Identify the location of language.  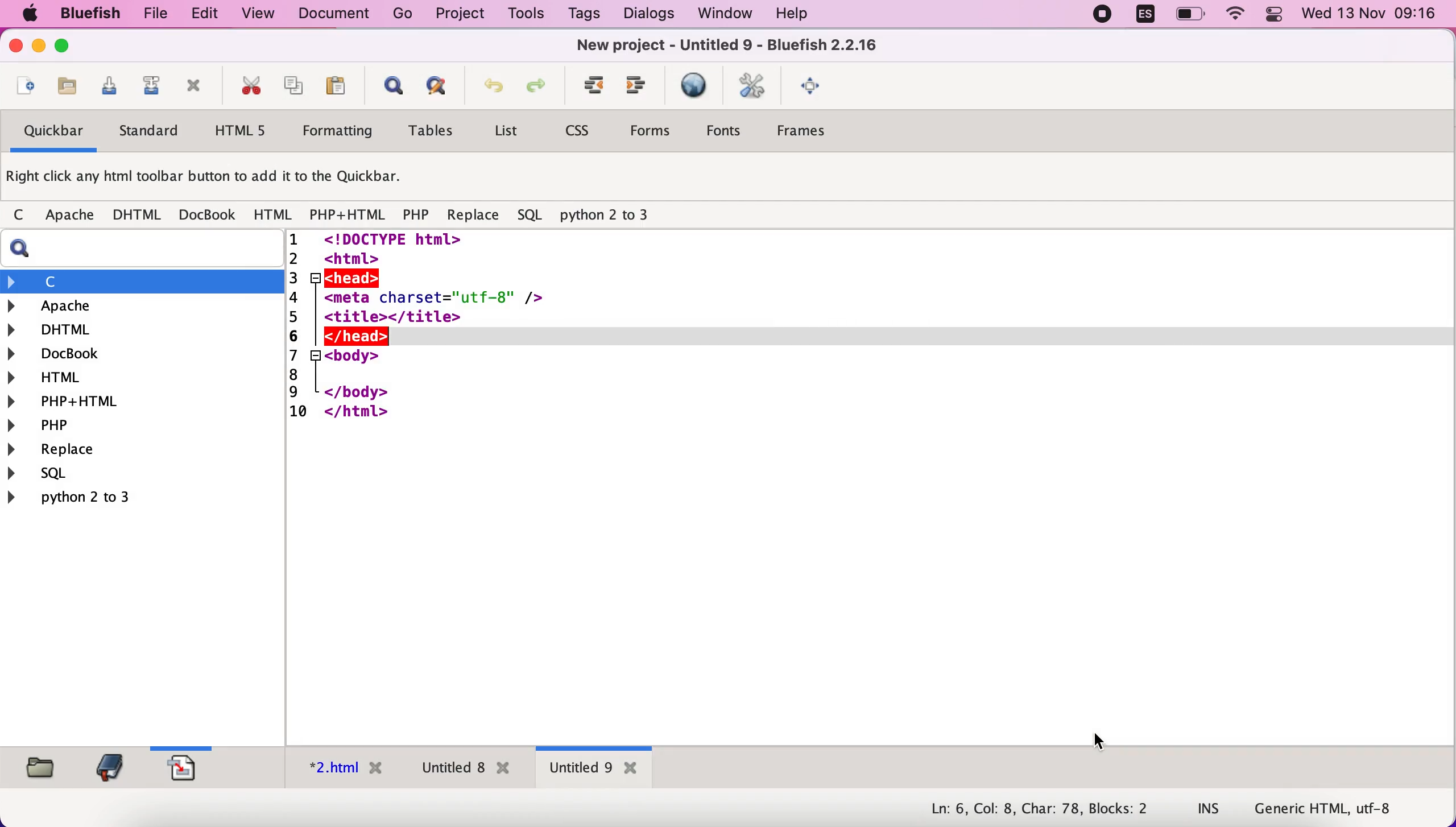
(1139, 16).